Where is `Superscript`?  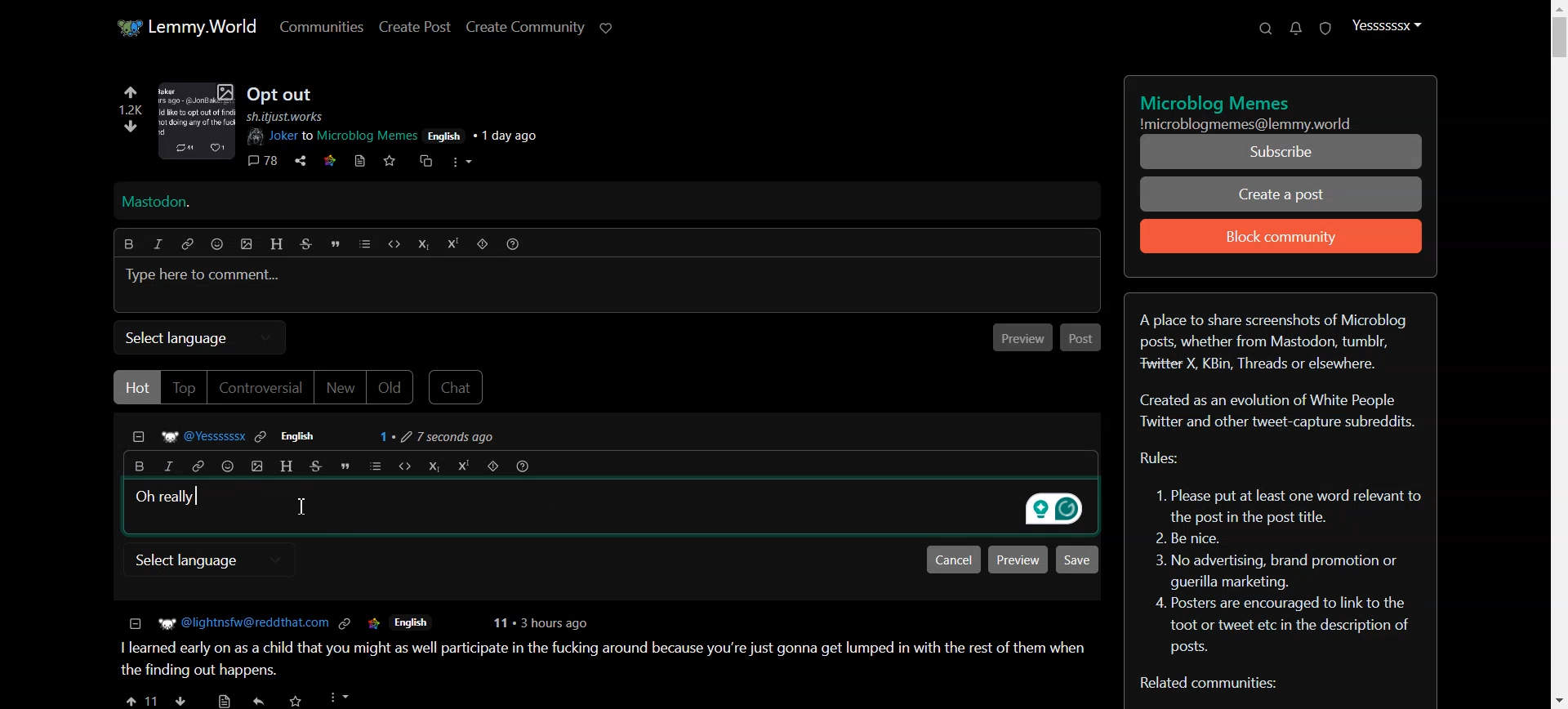 Superscript is located at coordinates (461, 466).